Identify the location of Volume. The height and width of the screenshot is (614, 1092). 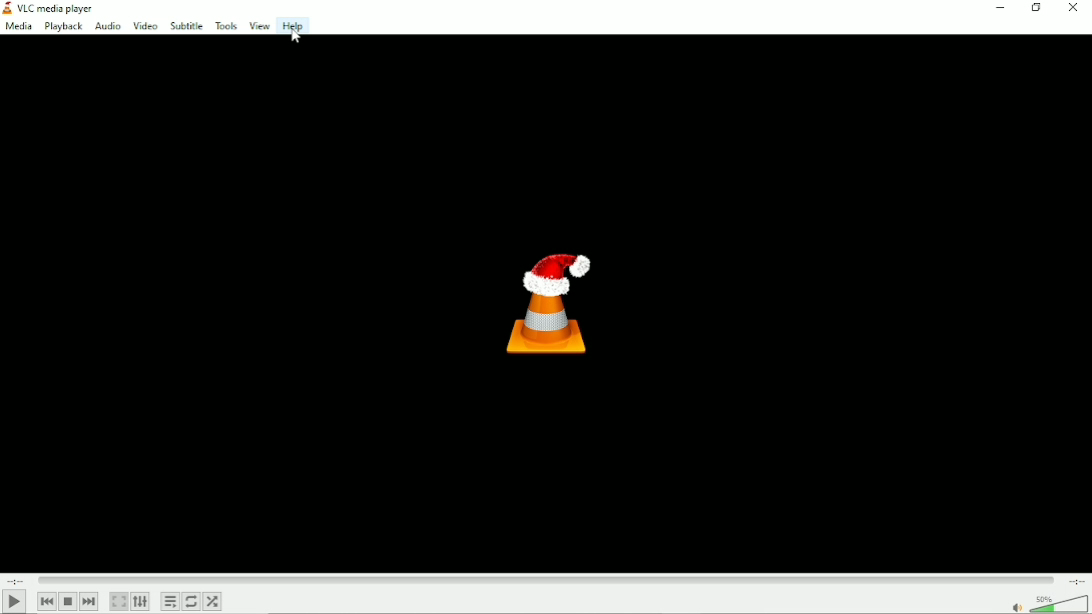
(1060, 603).